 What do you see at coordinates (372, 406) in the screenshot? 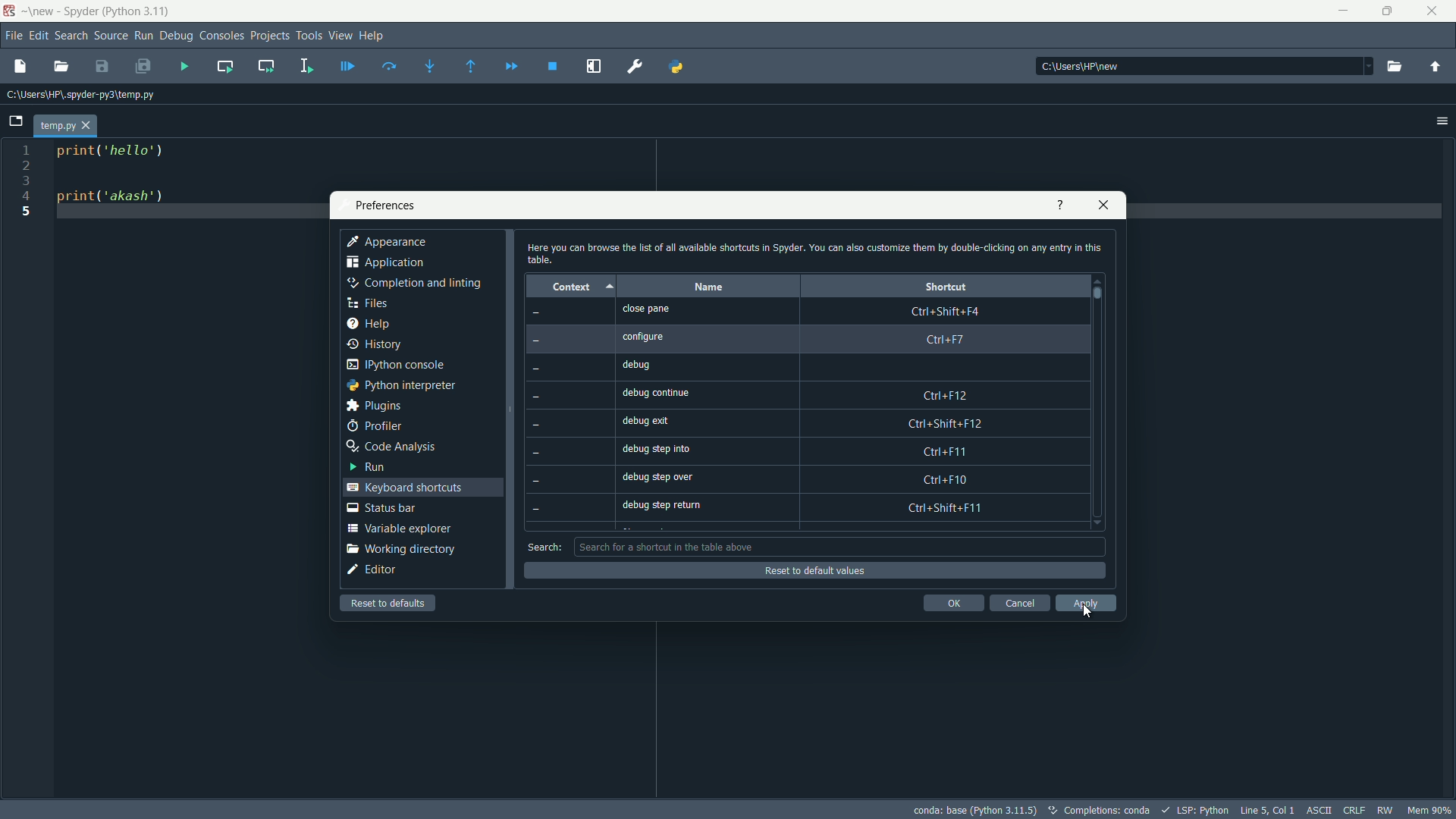
I see `plugins` at bounding box center [372, 406].